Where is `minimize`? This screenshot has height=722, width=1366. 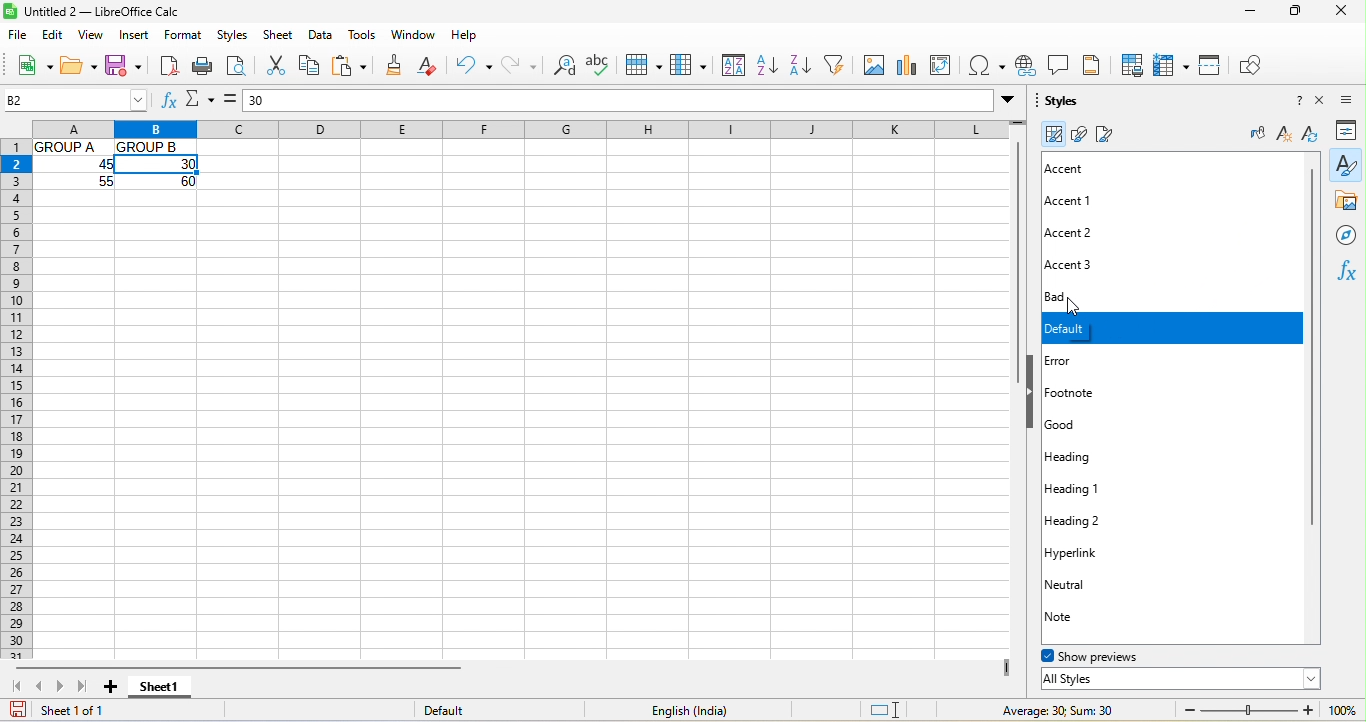
minimize is located at coordinates (1248, 11).